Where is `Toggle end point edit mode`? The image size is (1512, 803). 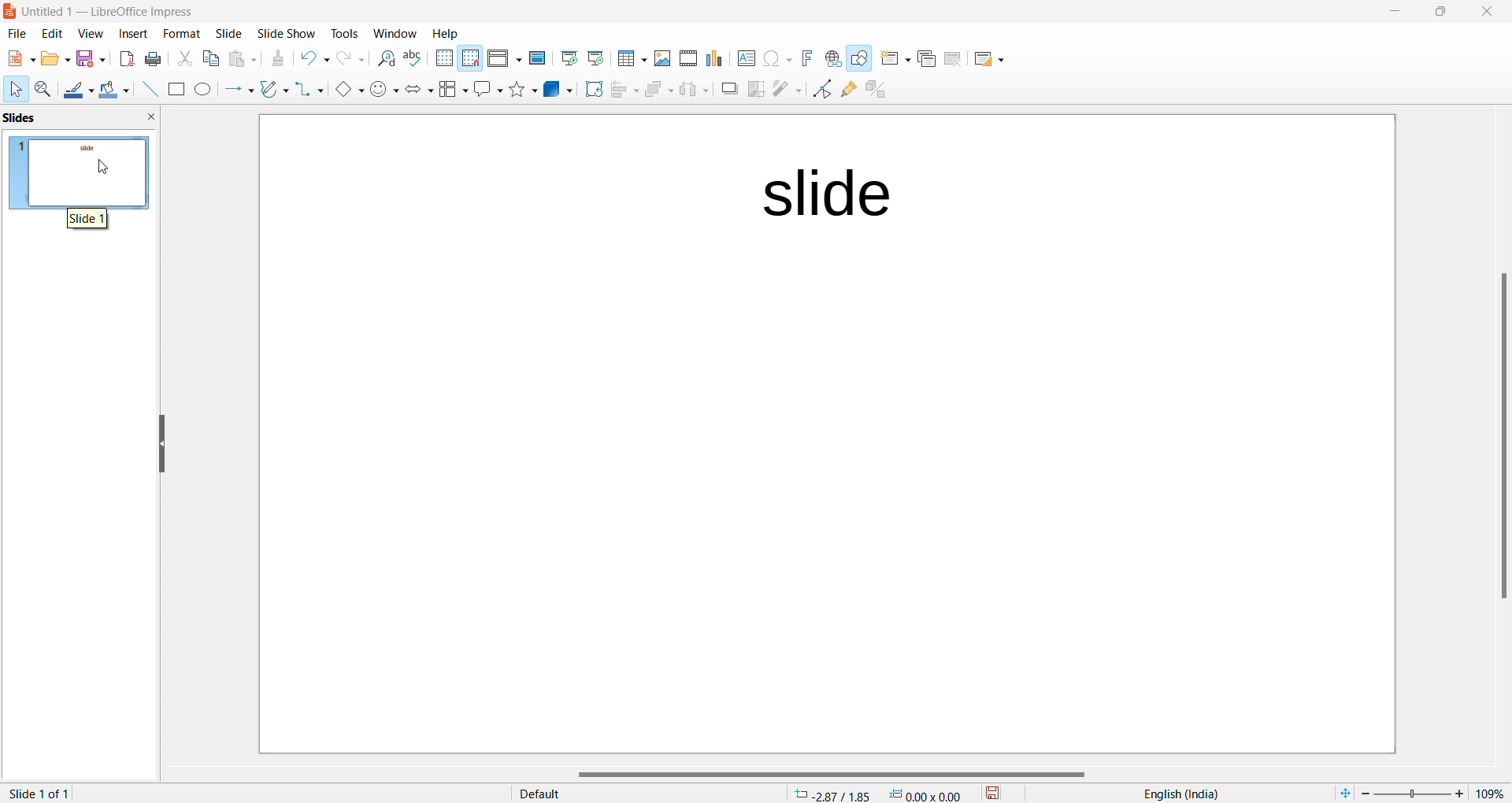 Toggle end point edit mode is located at coordinates (820, 90).